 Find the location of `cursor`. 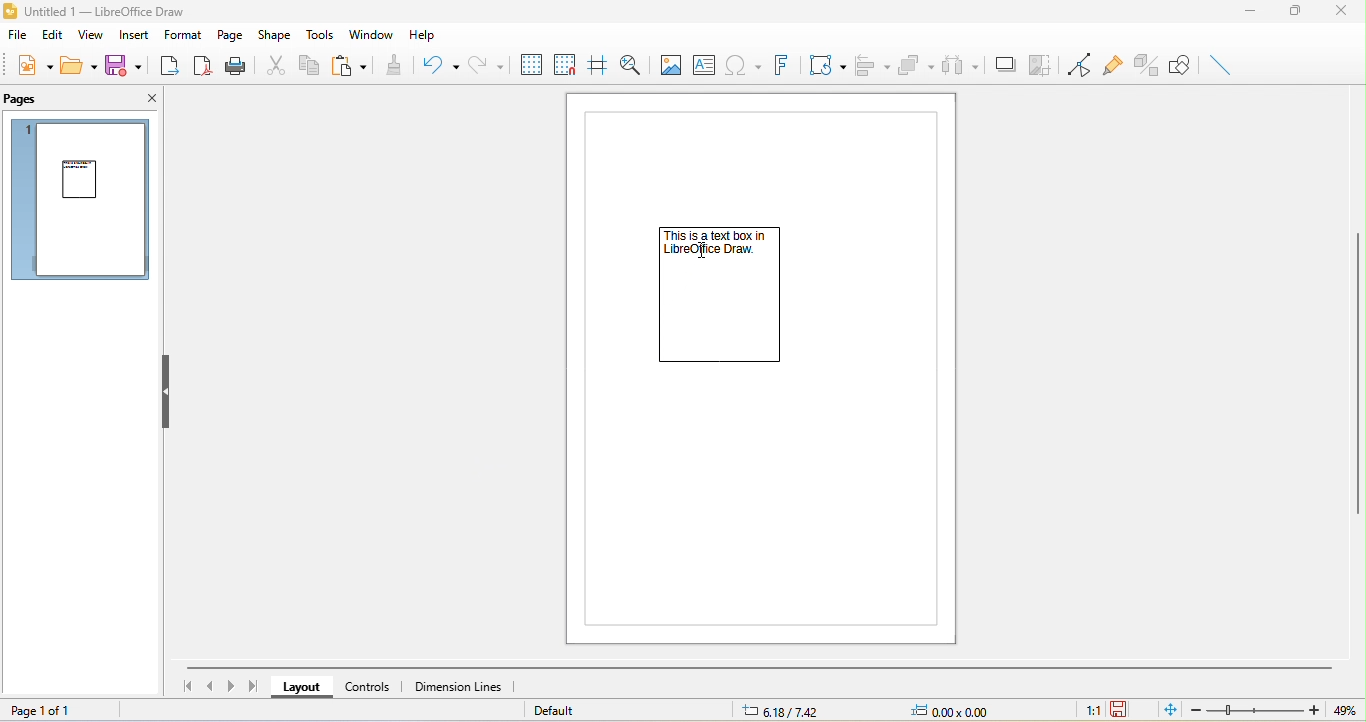

cursor is located at coordinates (701, 252).